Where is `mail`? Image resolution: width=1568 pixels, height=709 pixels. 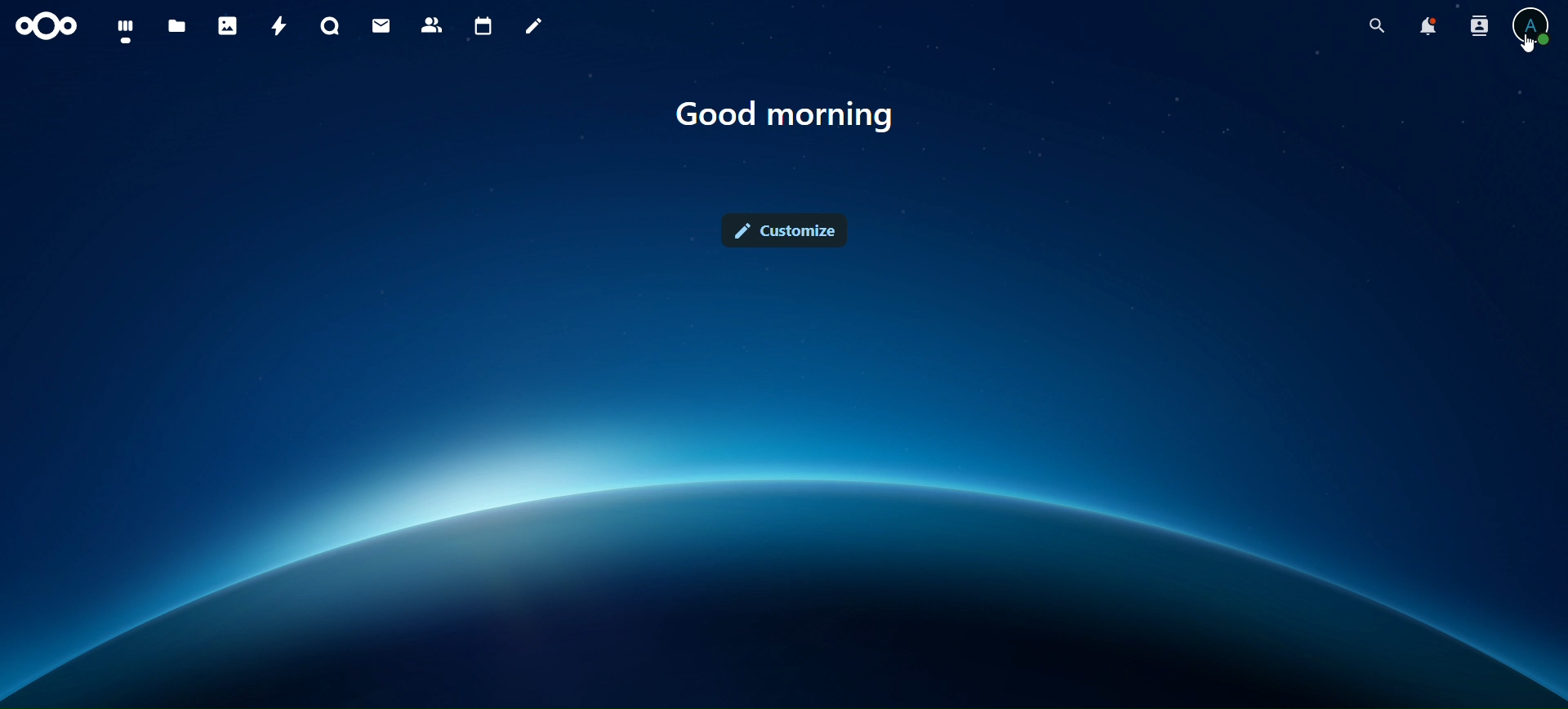 mail is located at coordinates (385, 27).